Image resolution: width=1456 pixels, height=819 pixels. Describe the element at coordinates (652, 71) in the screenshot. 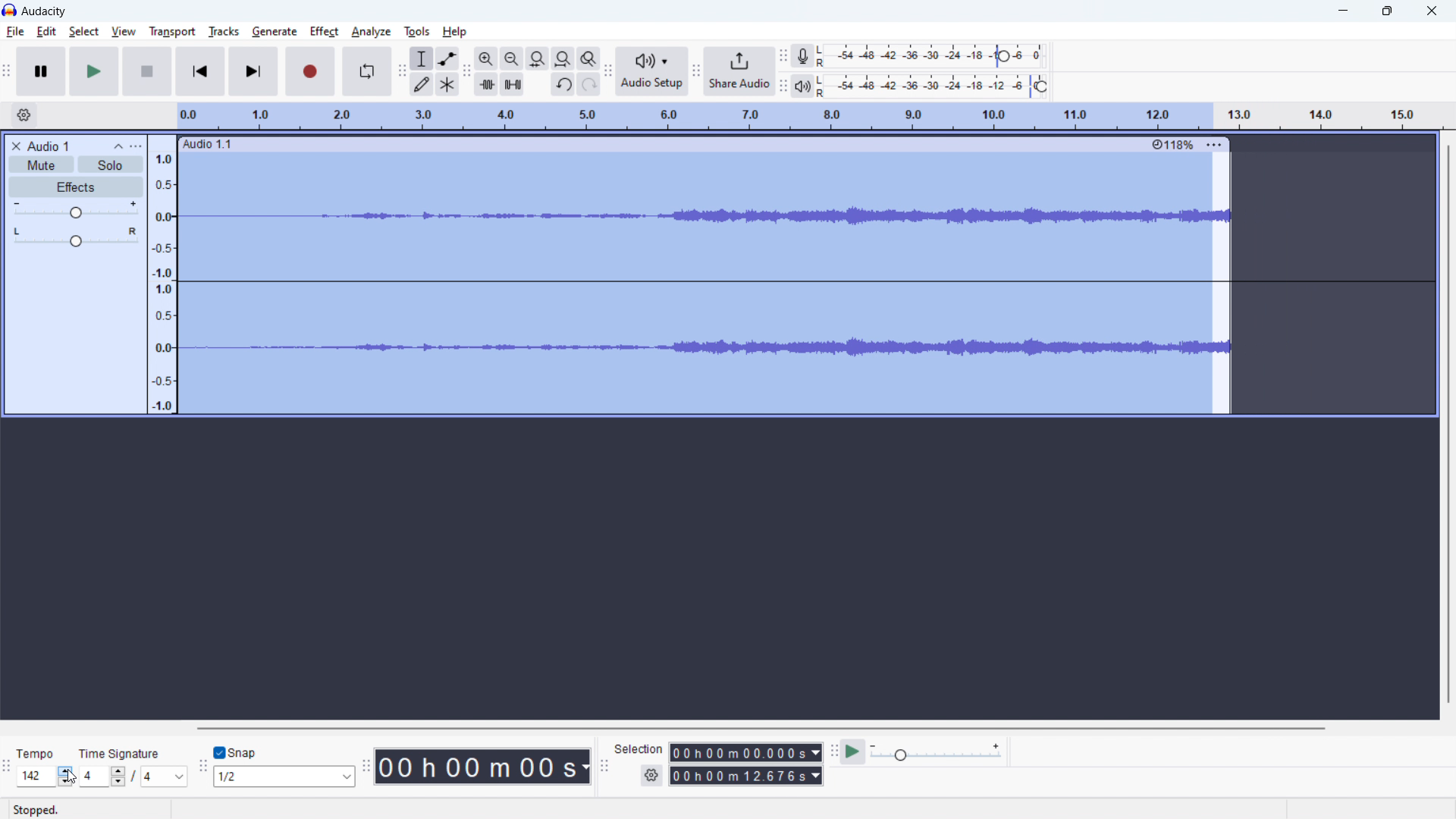

I see `audio setup` at that location.